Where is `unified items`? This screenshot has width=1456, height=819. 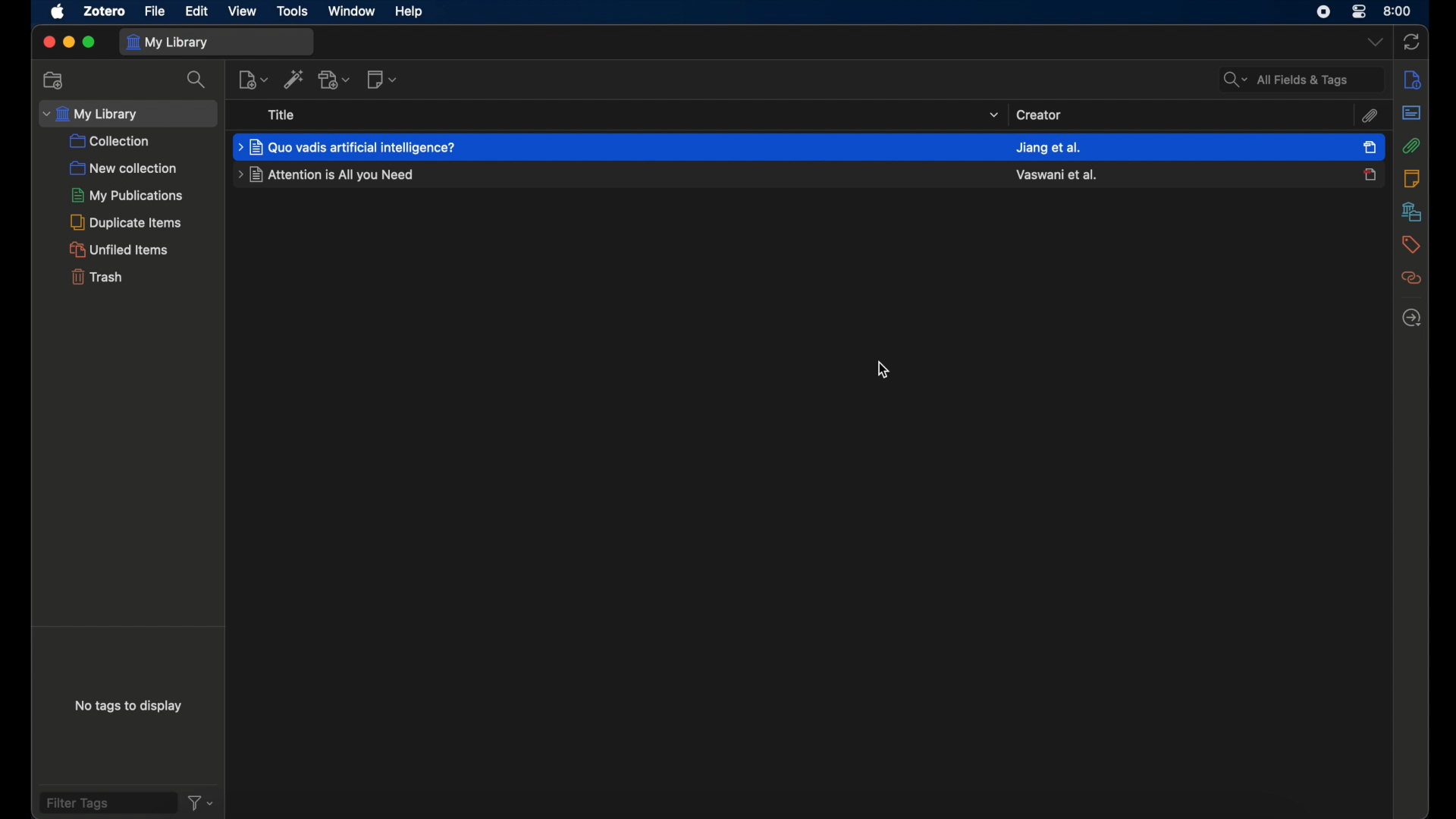 unified items is located at coordinates (118, 249).